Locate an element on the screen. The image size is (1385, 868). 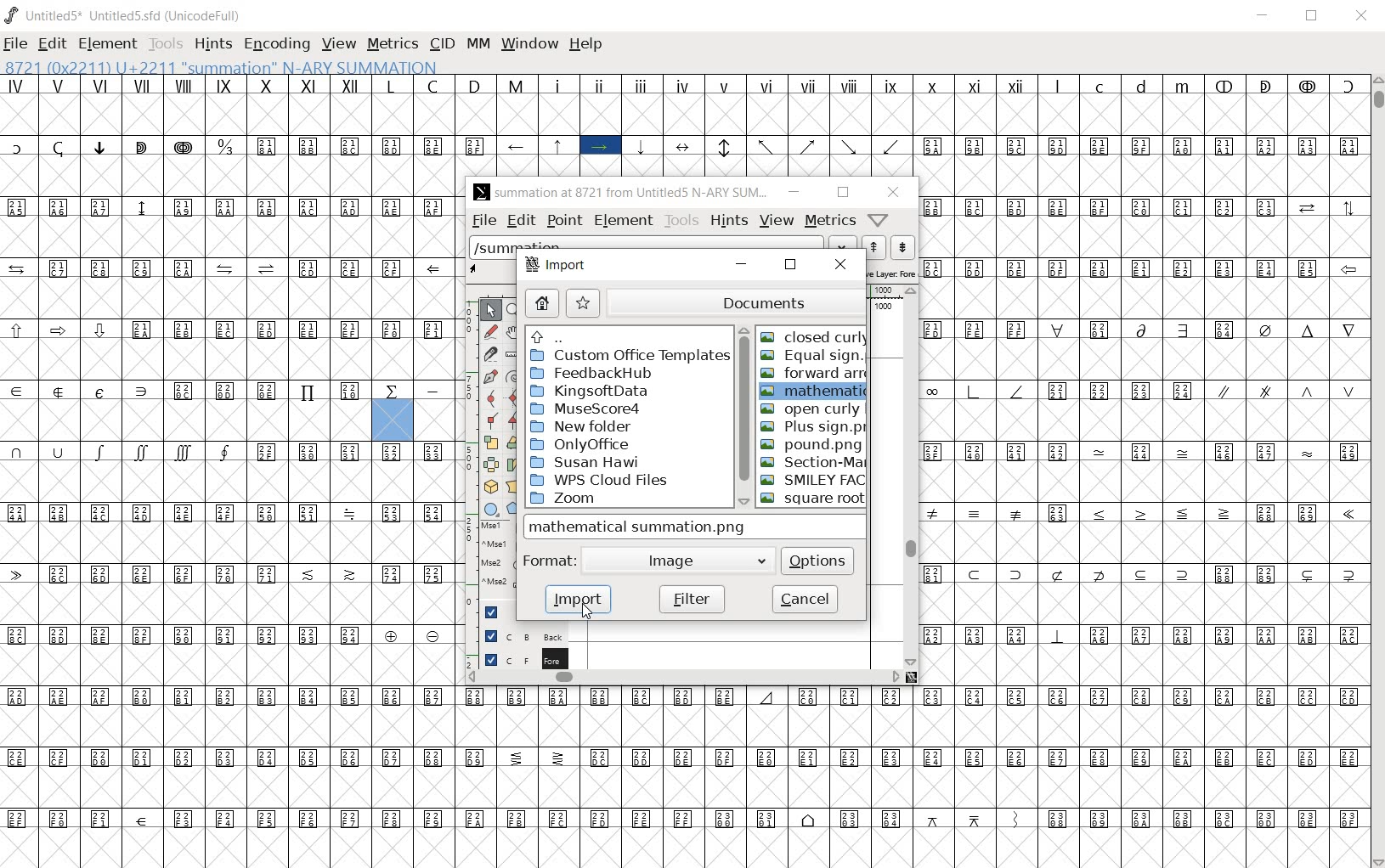
Help/Window is located at coordinates (881, 219).